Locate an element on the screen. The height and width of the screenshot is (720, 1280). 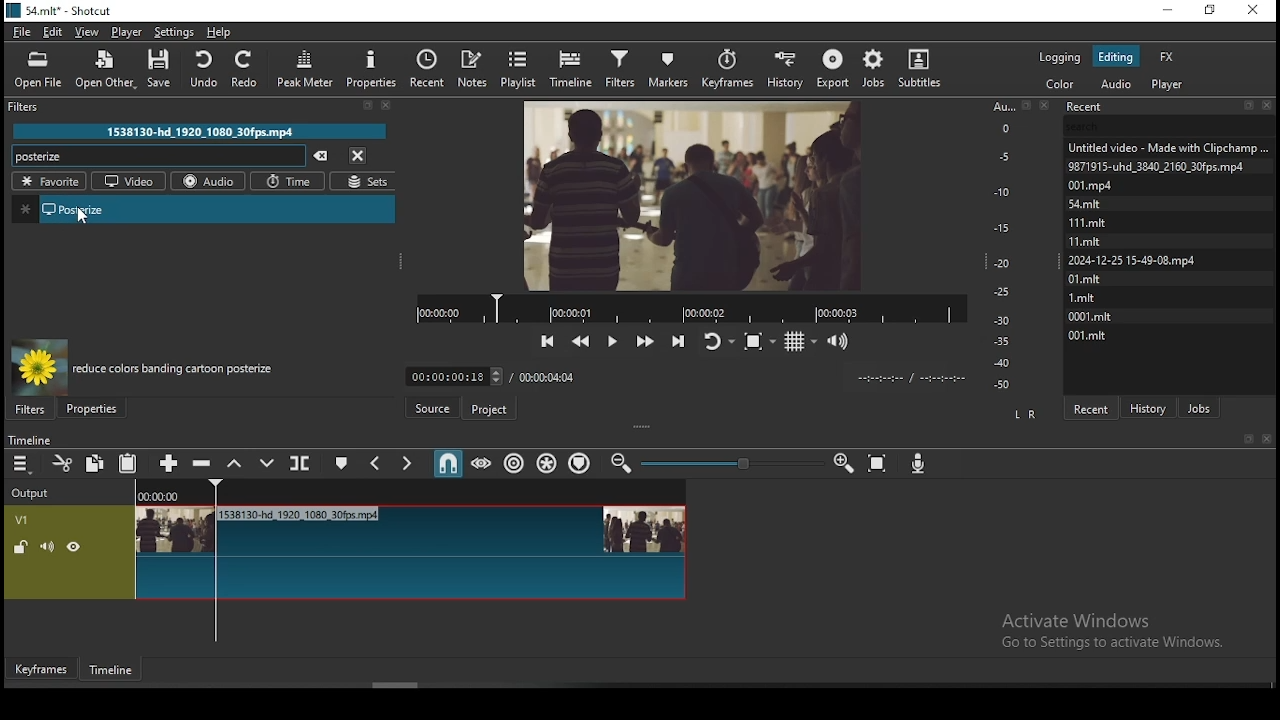
timeline is located at coordinates (28, 439).